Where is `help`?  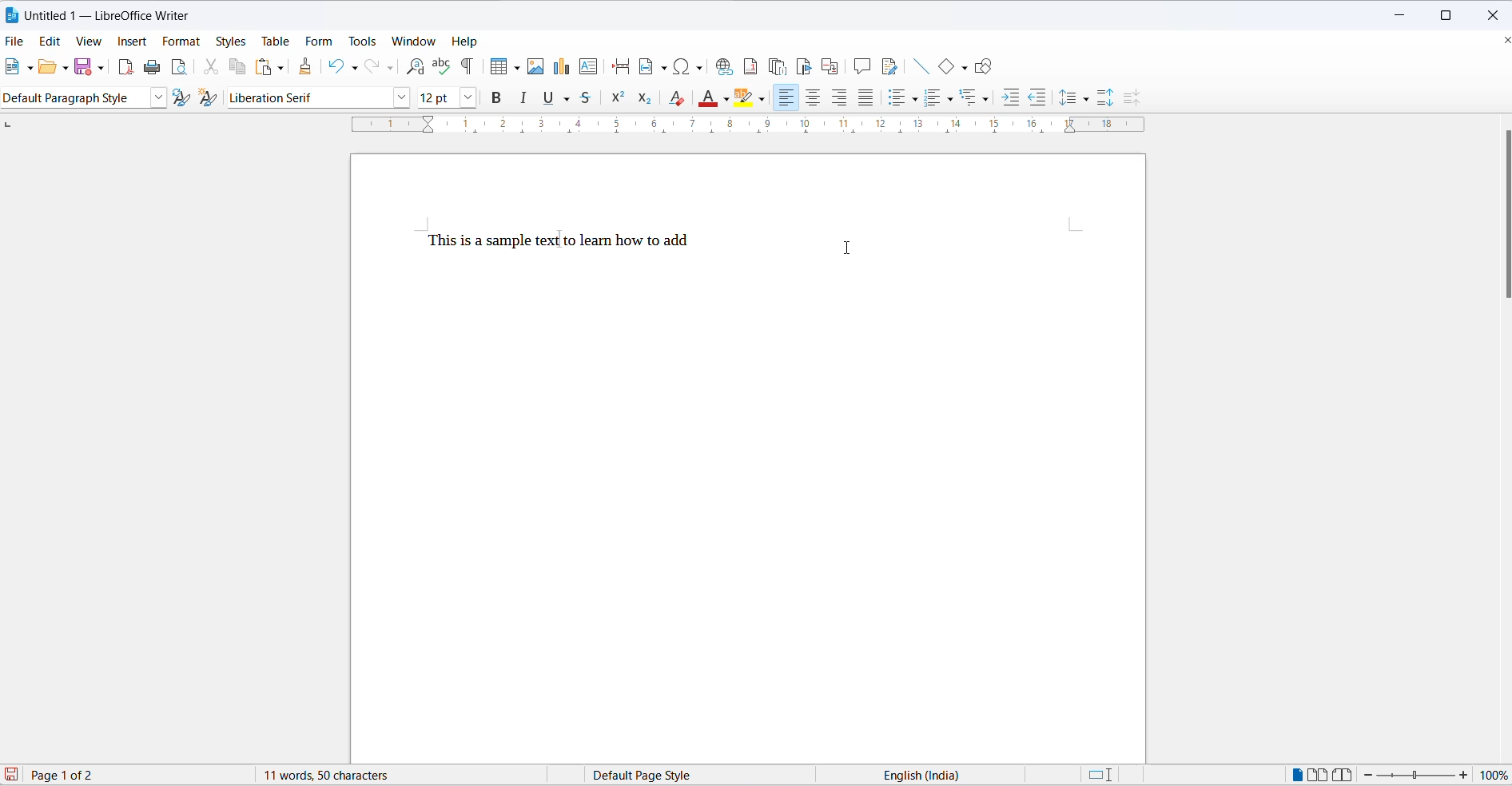 help is located at coordinates (468, 42).